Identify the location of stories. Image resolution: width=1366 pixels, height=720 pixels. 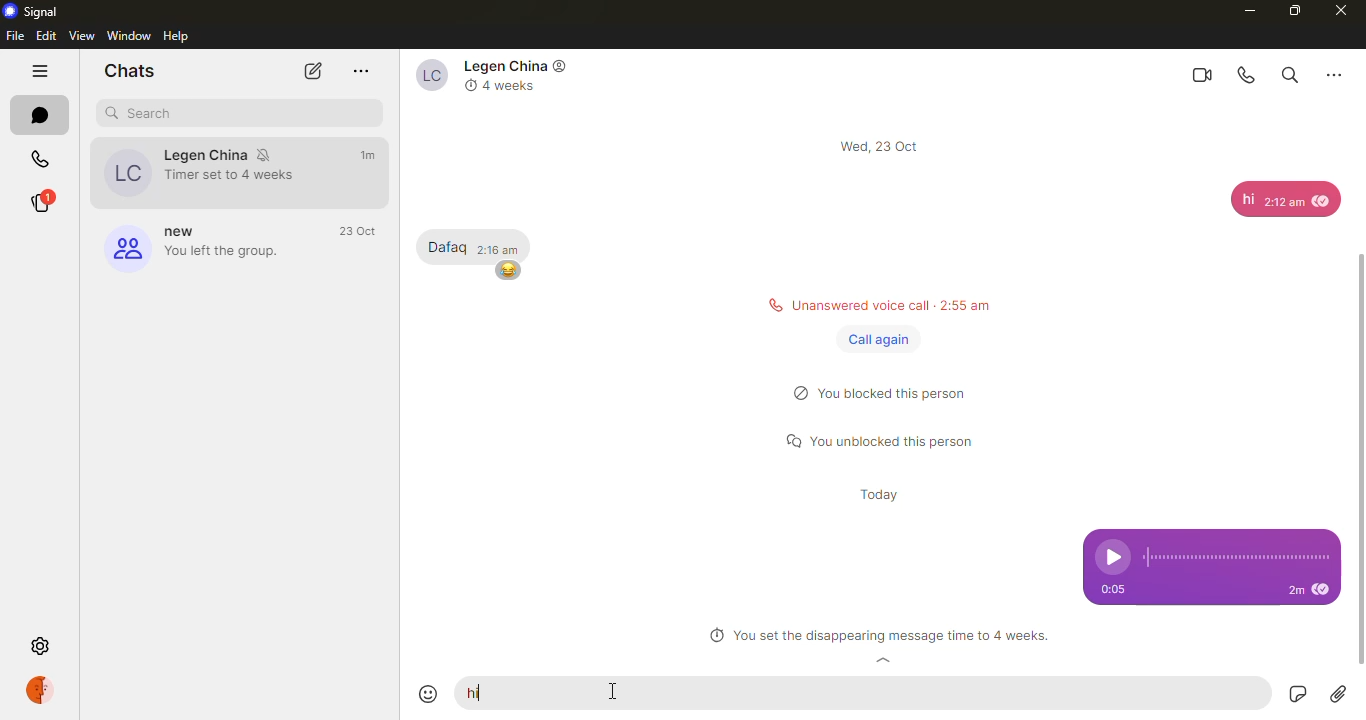
(39, 203).